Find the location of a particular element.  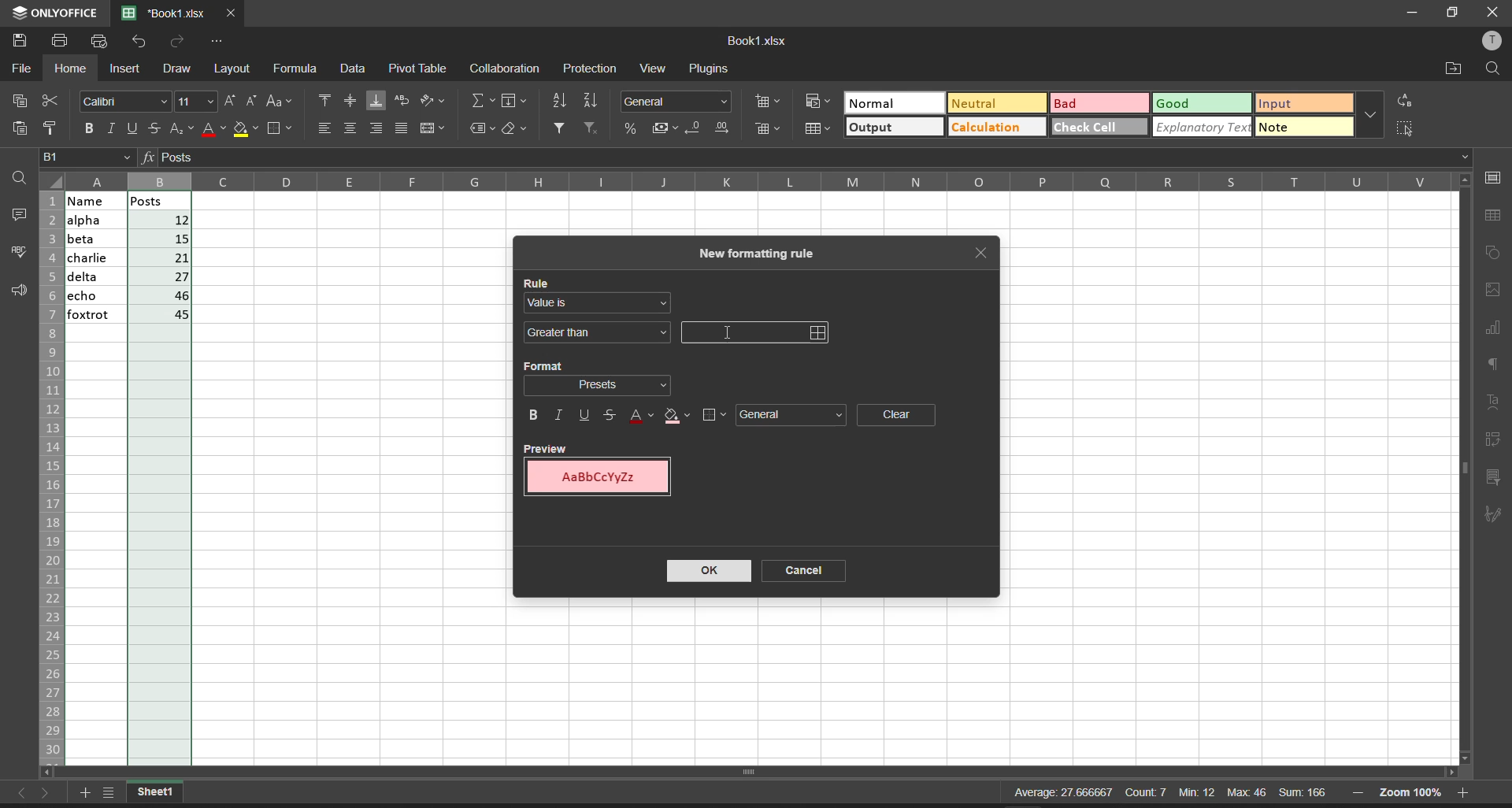

cell address is located at coordinates (88, 157).